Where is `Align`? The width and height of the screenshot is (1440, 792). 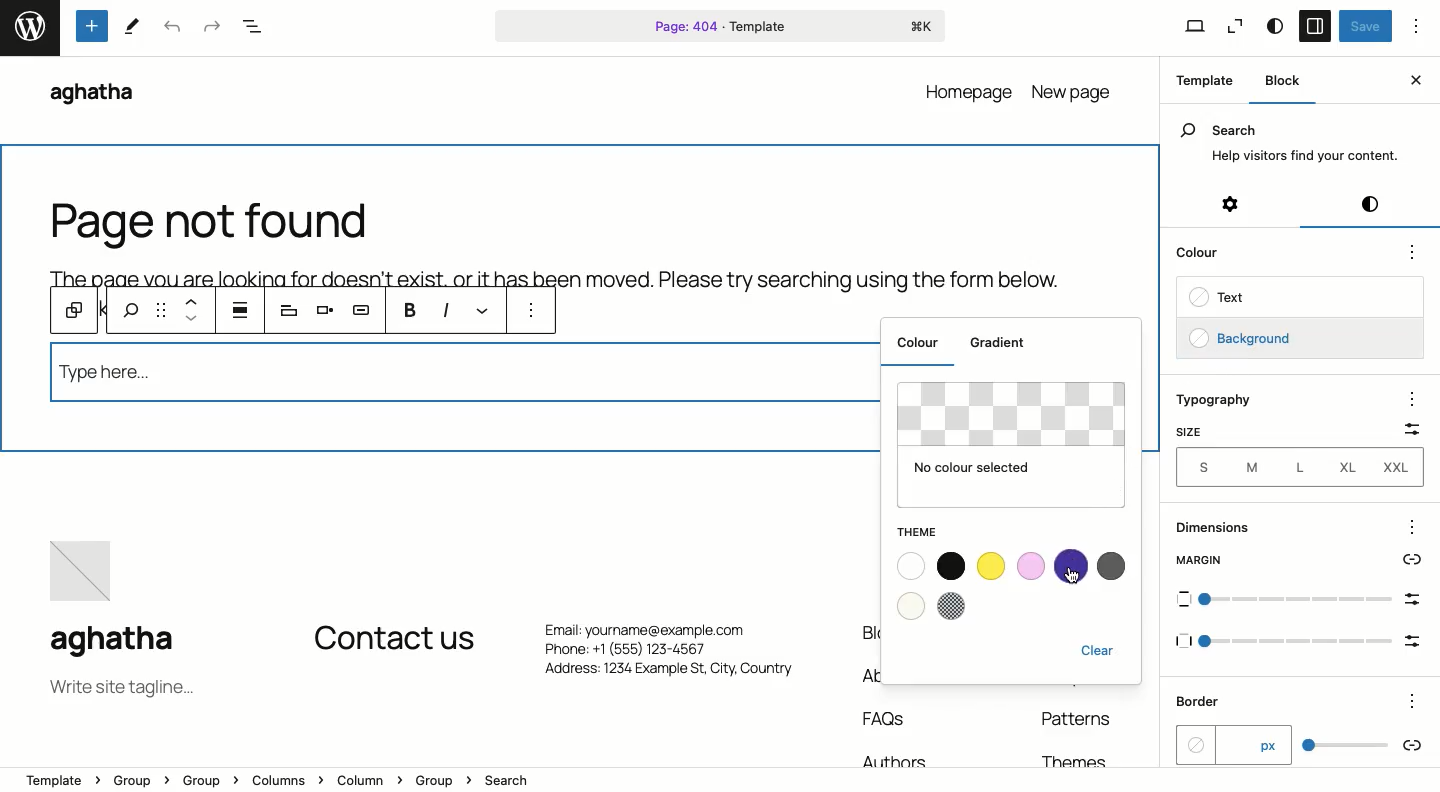 Align is located at coordinates (321, 312).